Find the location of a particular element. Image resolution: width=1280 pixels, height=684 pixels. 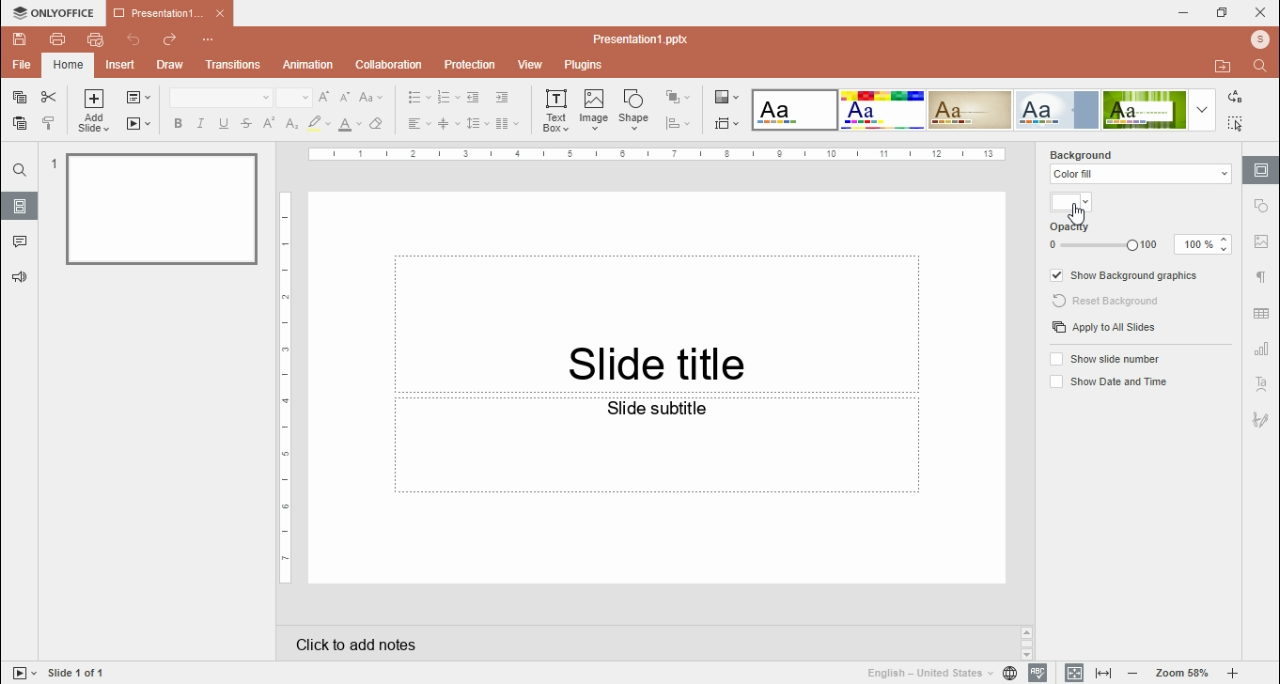

comments is located at coordinates (20, 240).